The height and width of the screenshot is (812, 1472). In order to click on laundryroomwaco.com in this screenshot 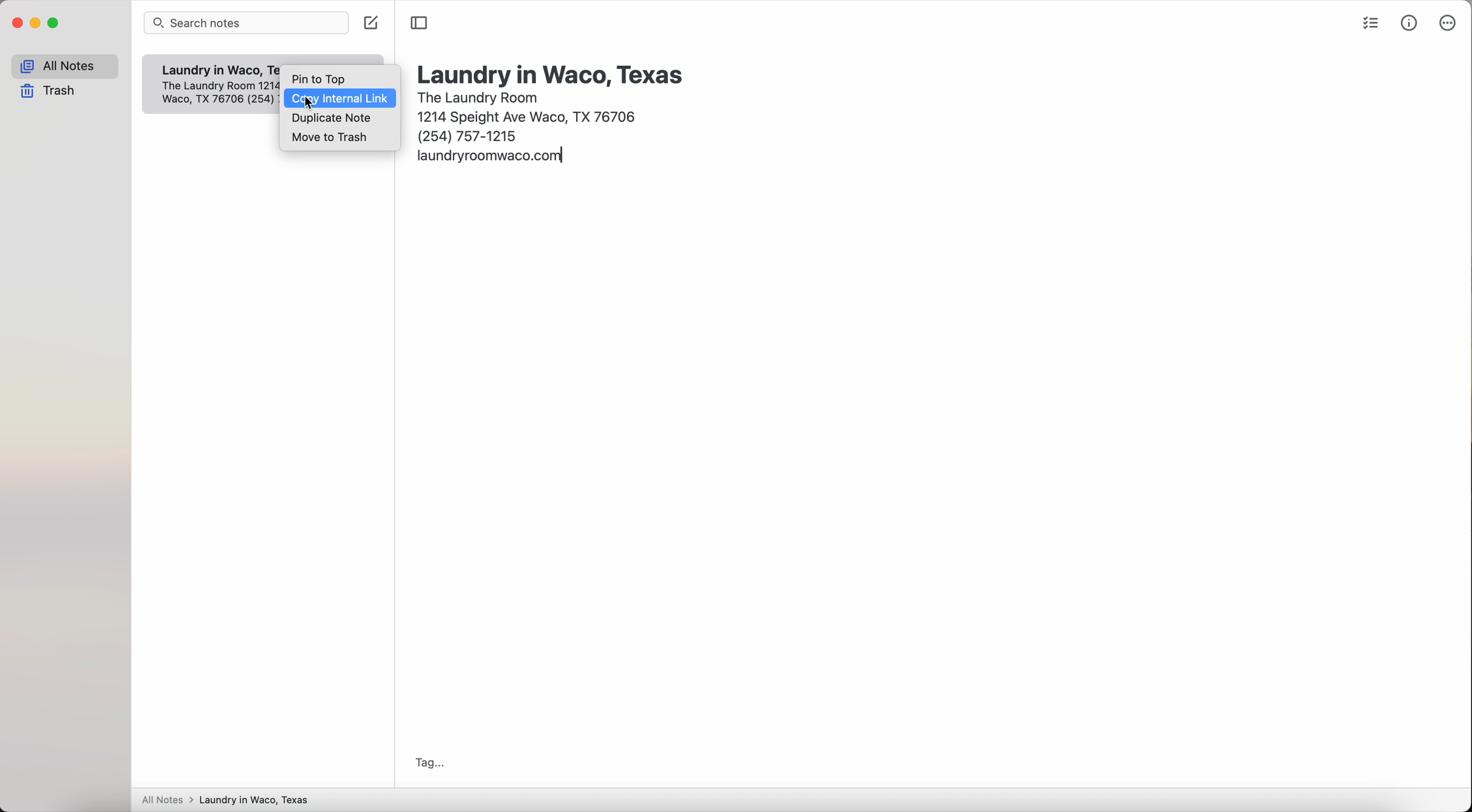, I will do `click(491, 158)`.